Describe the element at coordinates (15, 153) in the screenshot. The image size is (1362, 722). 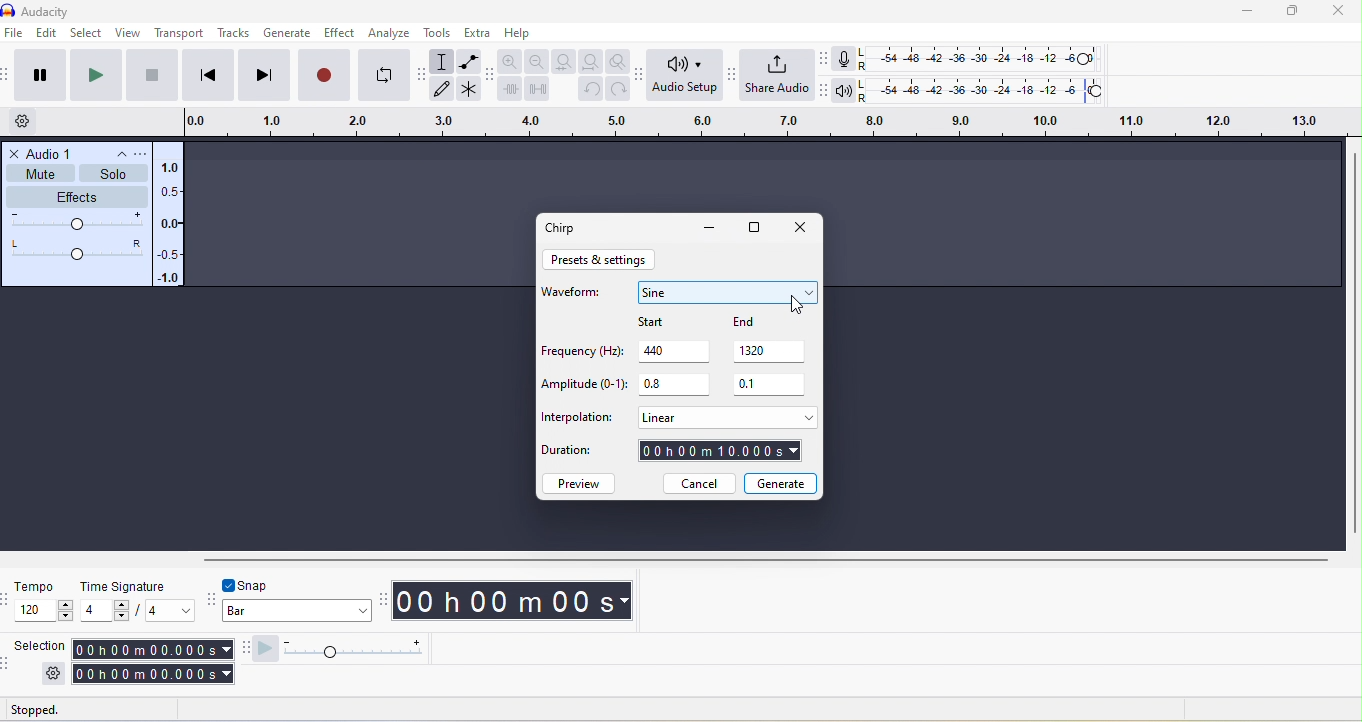
I see `close` at that location.